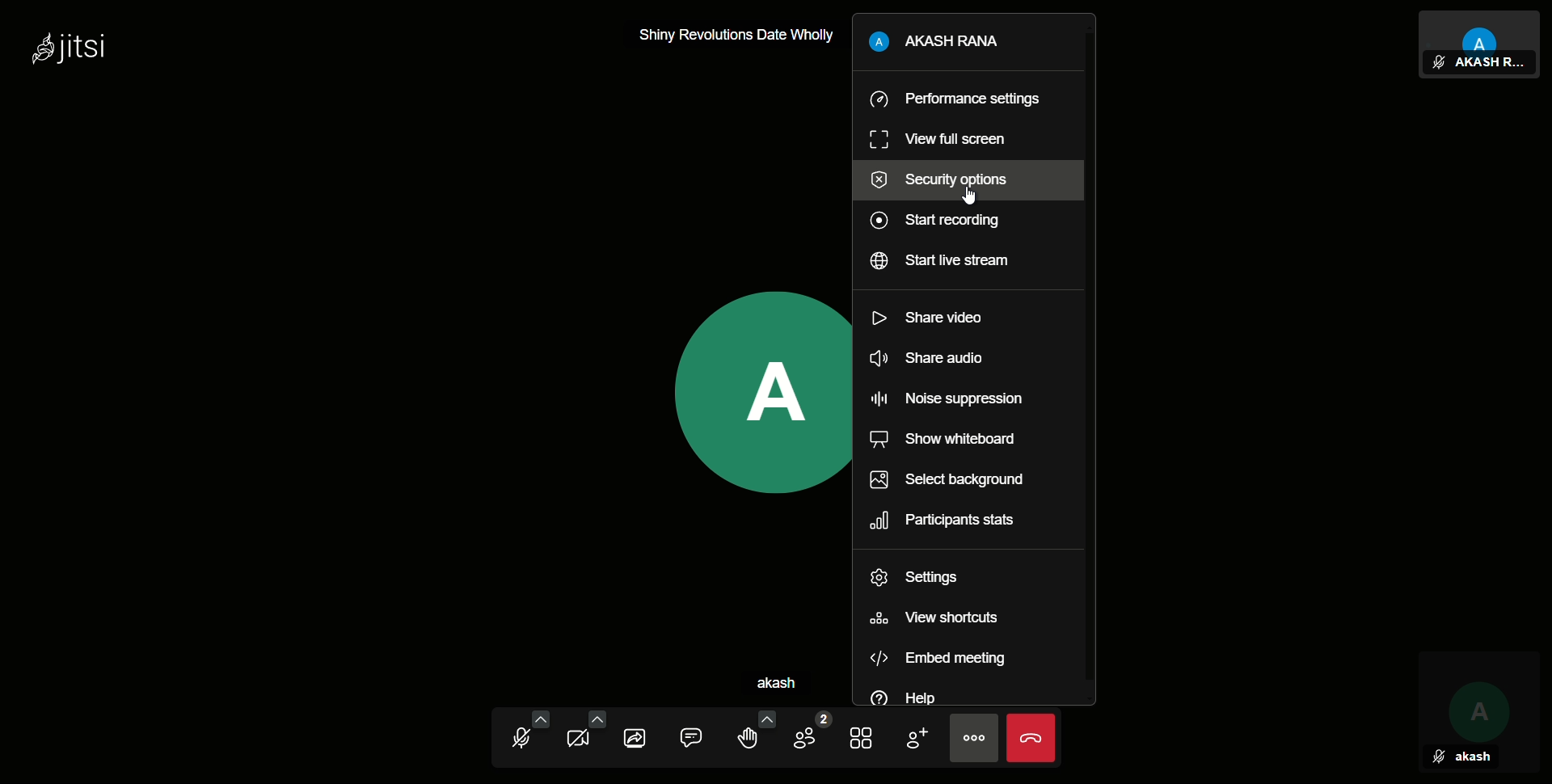  What do you see at coordinates (1481, 30) in the screenshot?
I see `participant` at bounding box center [1481, 30].